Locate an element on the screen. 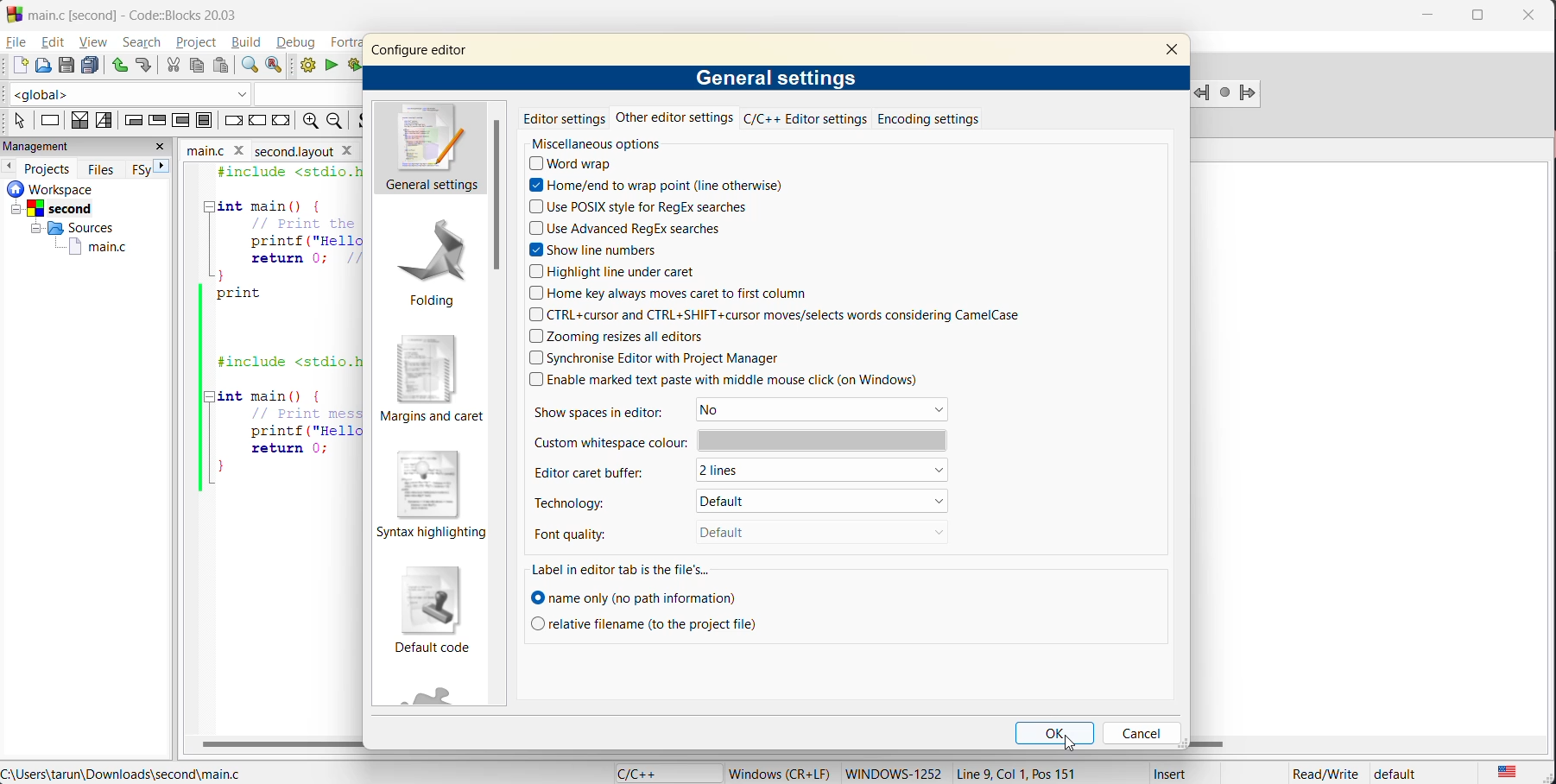  encoding settings is located at coordinates (932, 120).